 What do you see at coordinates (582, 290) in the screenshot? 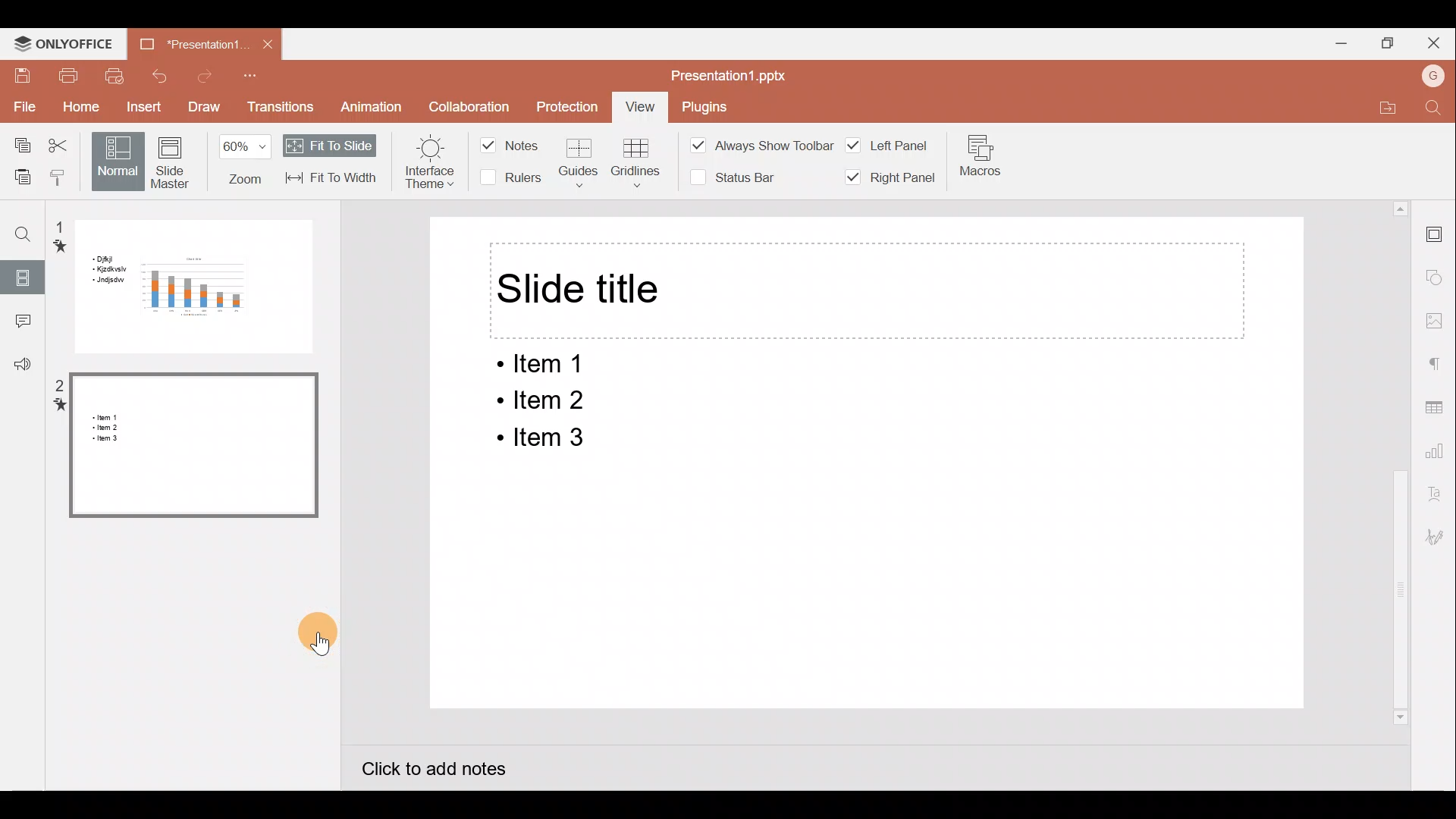
I see `Slide title` at bounding box center [582, 290].